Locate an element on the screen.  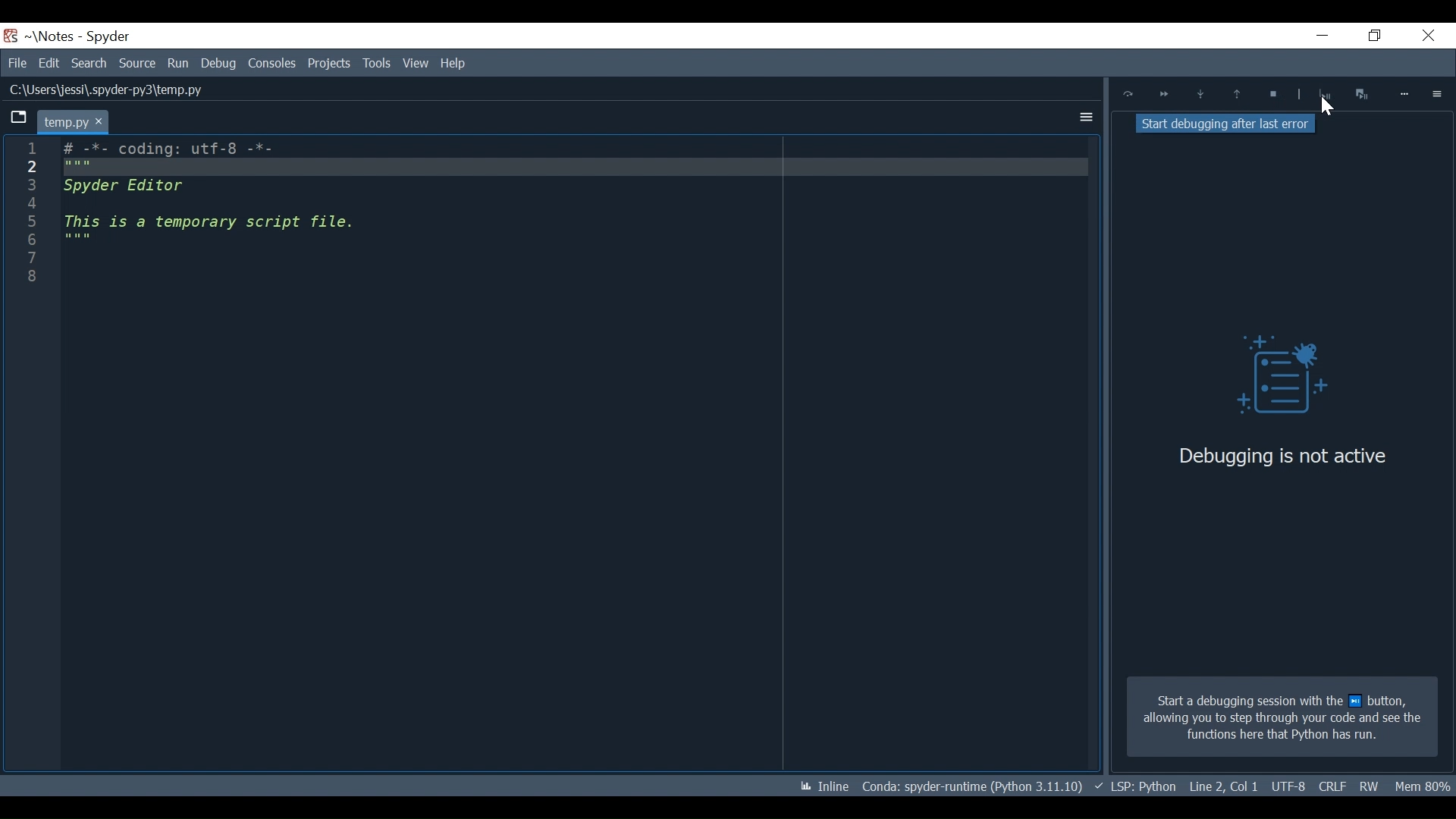
Start a debugging session with the next button allowing you to step through your code and see the functions here that Python has run is located at coordinates (1282, 717).